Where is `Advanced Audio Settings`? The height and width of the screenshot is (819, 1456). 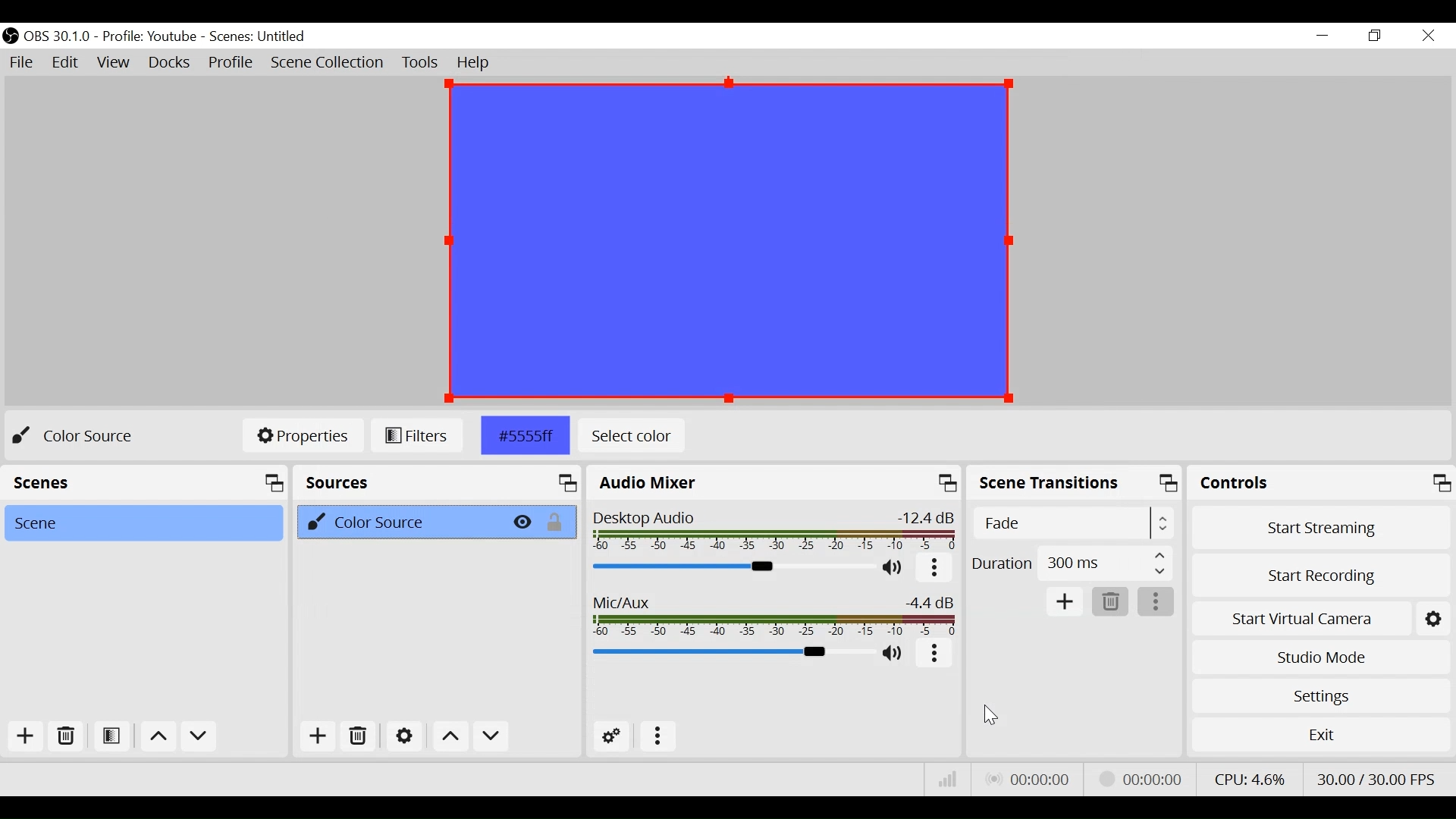
Advanced Audio Settings is located at coordinates (612, 736).